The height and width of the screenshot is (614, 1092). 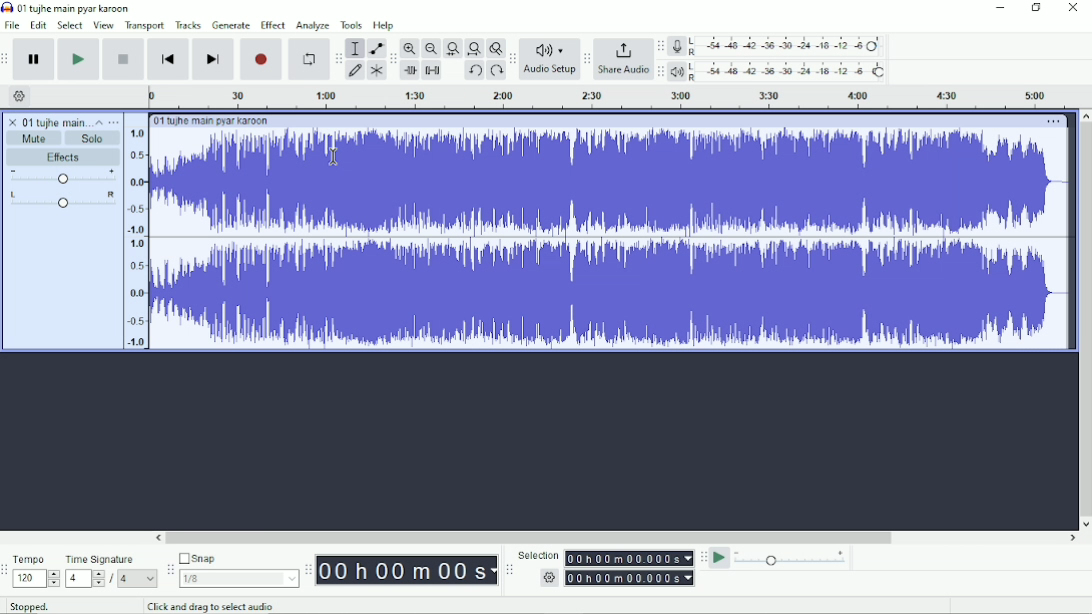 What do you see at coordinates (44, 120) in the screenshot?
I see `Track title` at bounding box center [44, 120].